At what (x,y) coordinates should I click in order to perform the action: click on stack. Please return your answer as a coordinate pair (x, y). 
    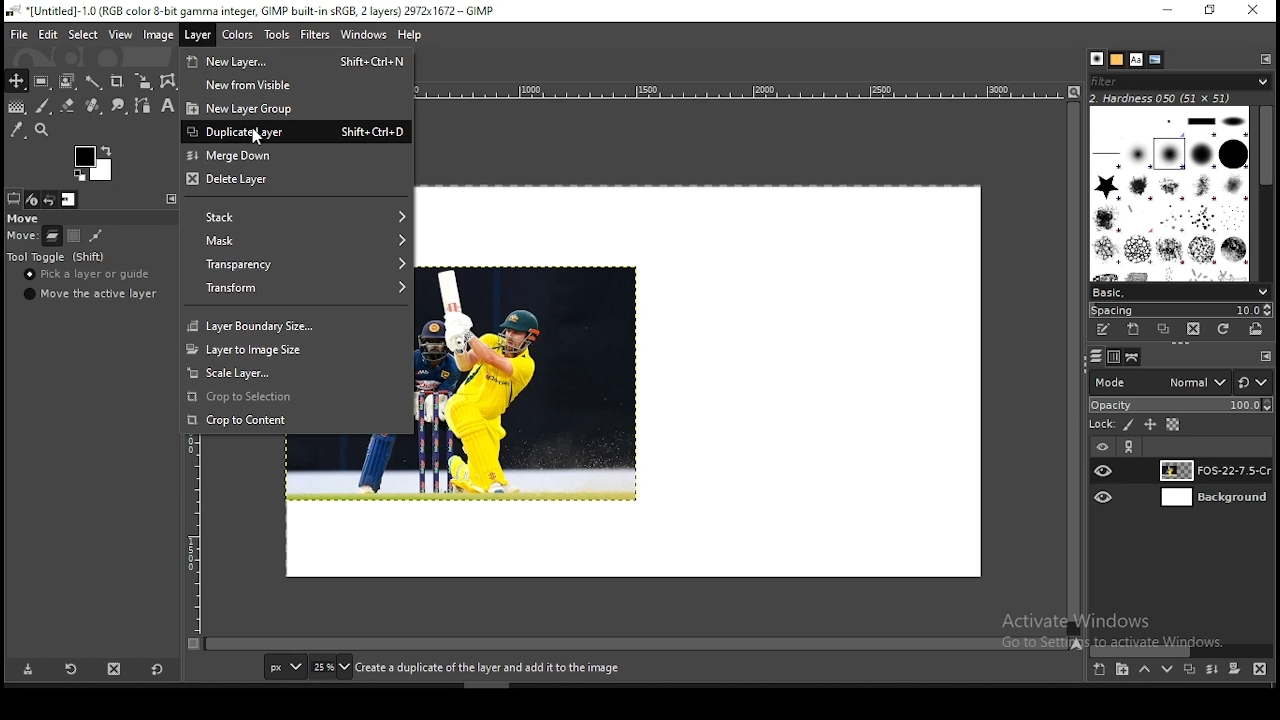
    Looking at the image, I should click on (294, 218).